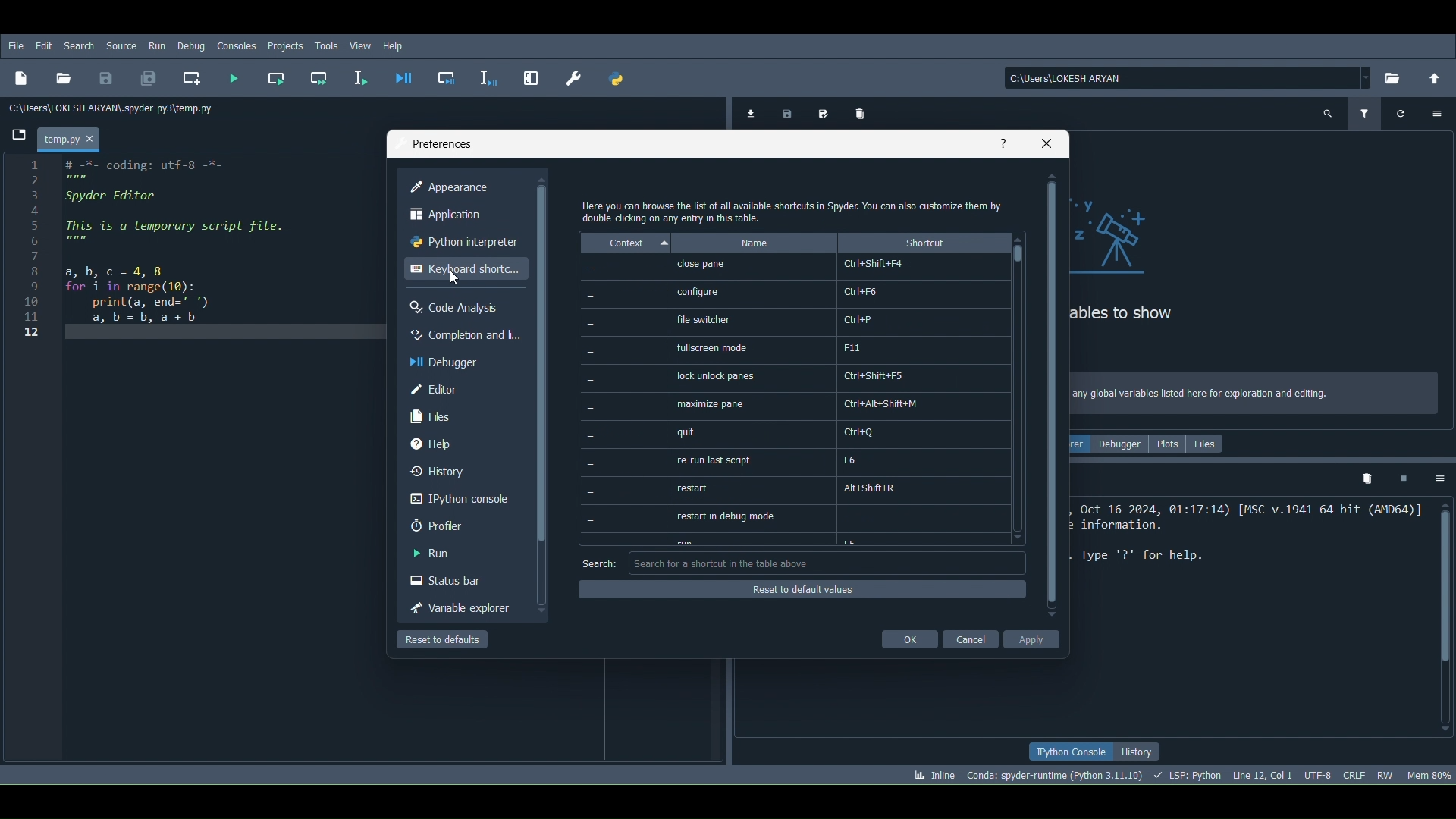 The width and height of the screenshot is (1456, 819). I want to click on Run, so click(454, 554).